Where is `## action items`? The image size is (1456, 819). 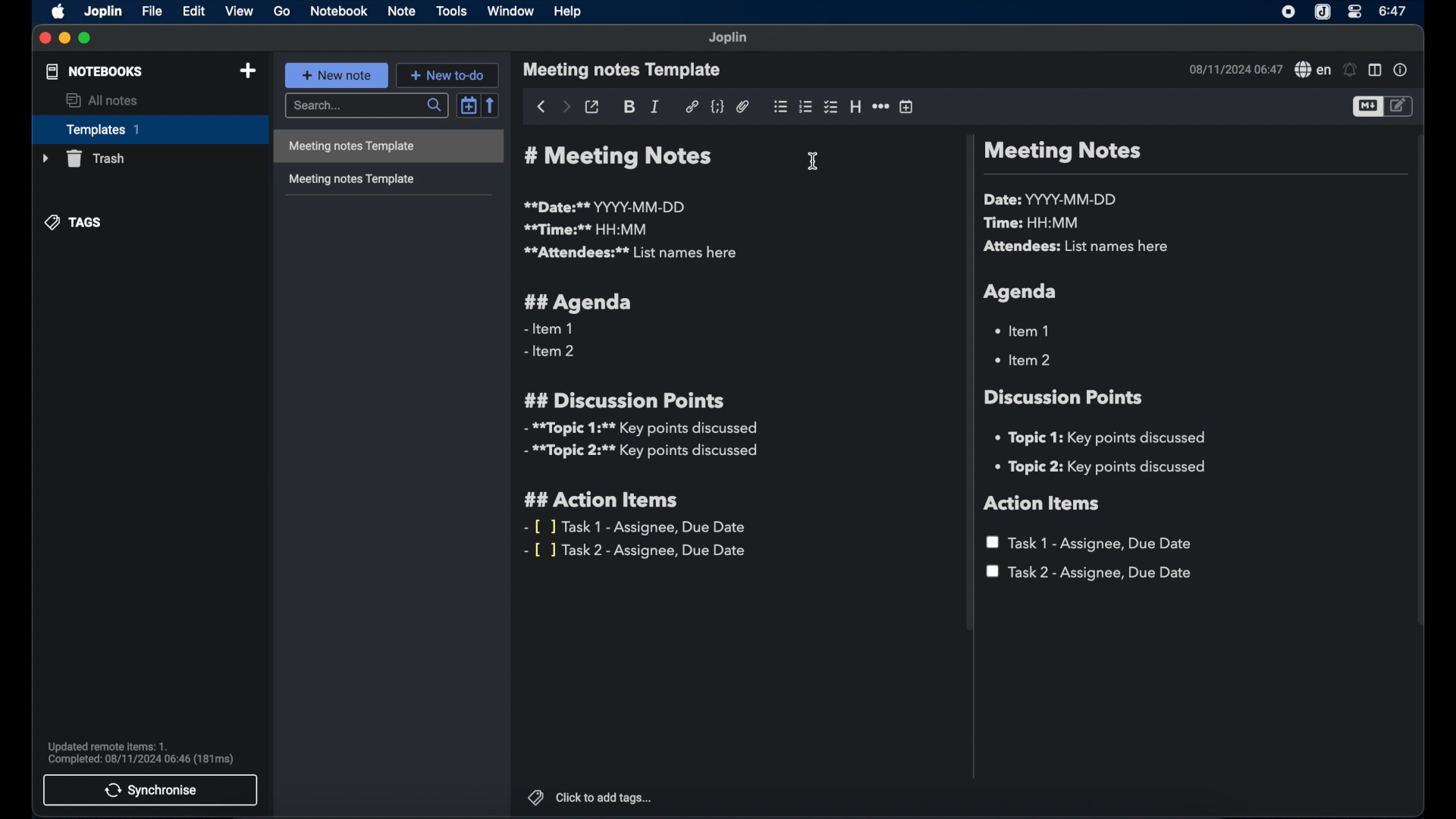 ## action items is located at coordinates (605, 500).